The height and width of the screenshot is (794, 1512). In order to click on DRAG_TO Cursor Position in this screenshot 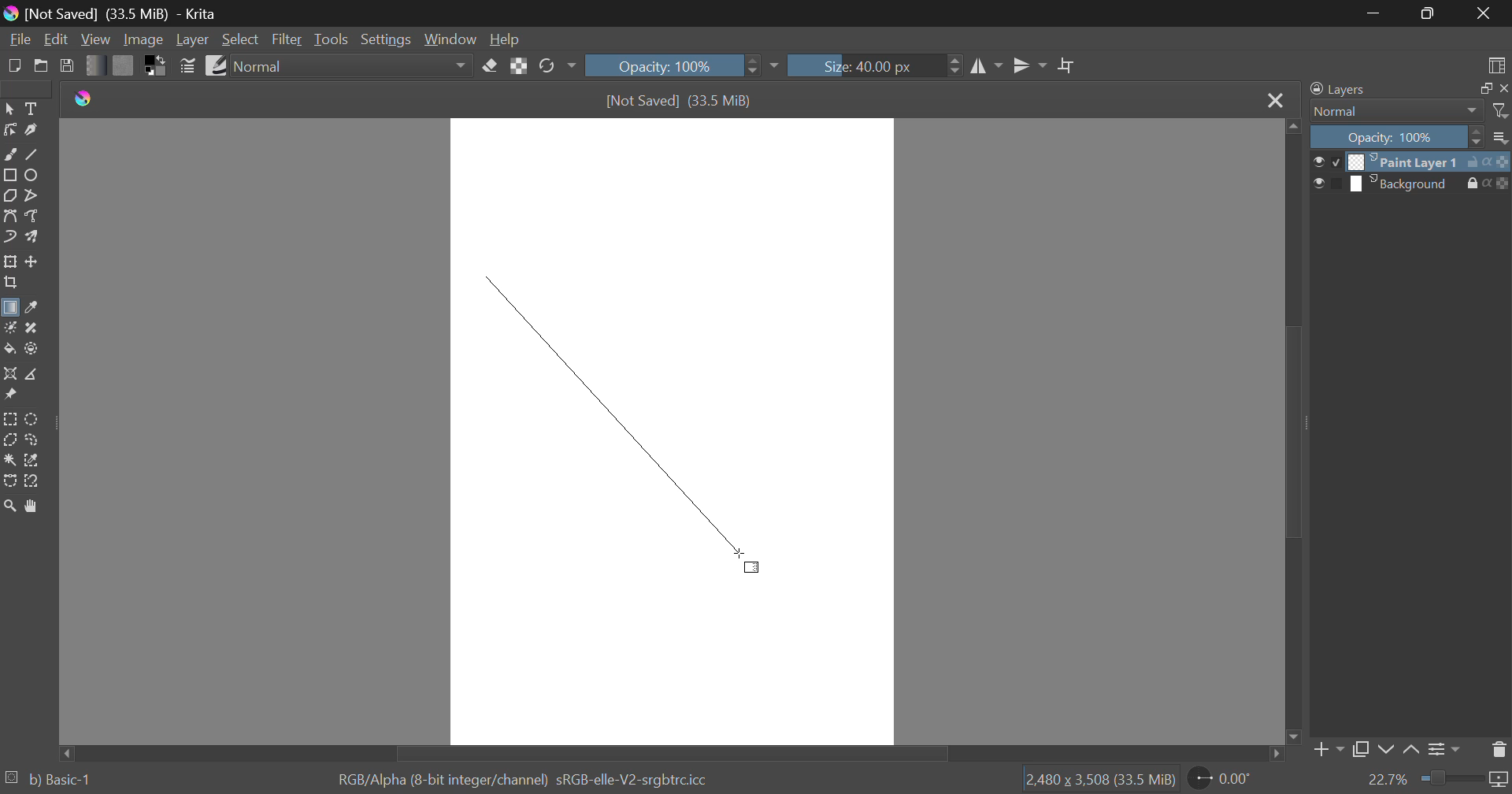, I will do `click(761, 565)`.